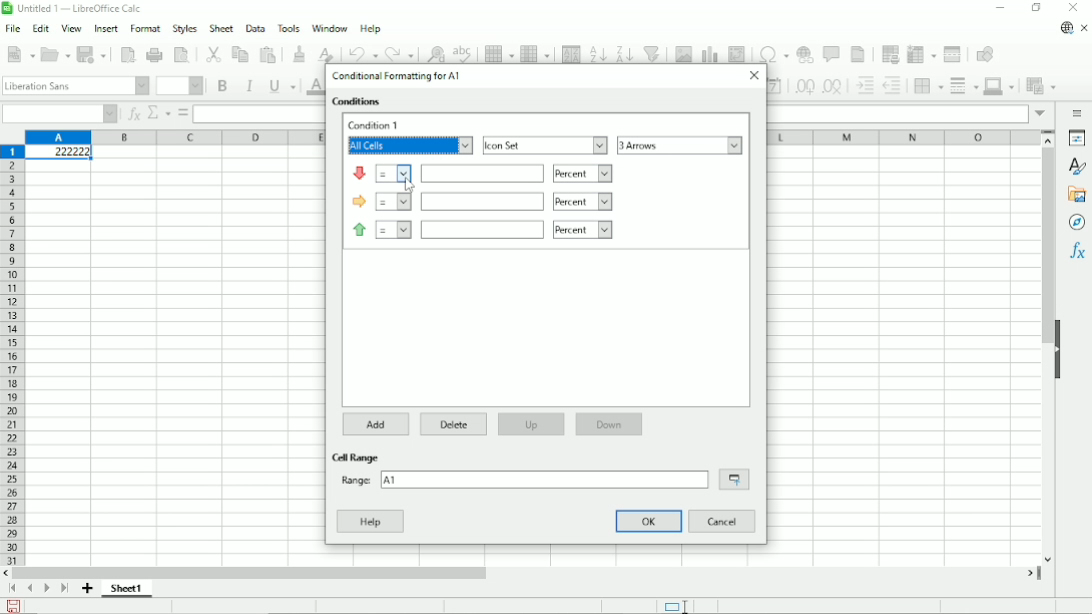  What do you see at coordinates (178, 86) in the screenshot?
I see `Font size` at bounding box center [178, 86].